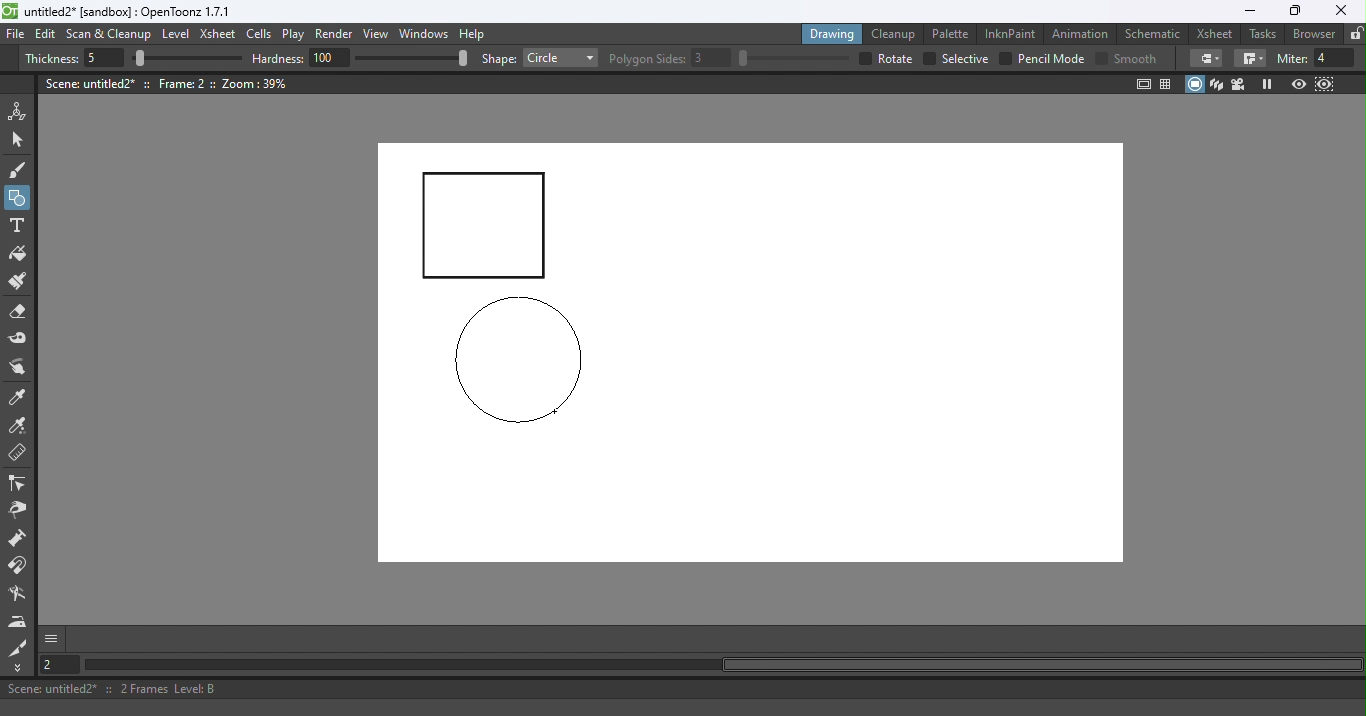 This screenshot has height=716, width=1366. What do you see at coordinates (16, 35) in the screenshot?
I see `File` at bounding box center [16, 35].